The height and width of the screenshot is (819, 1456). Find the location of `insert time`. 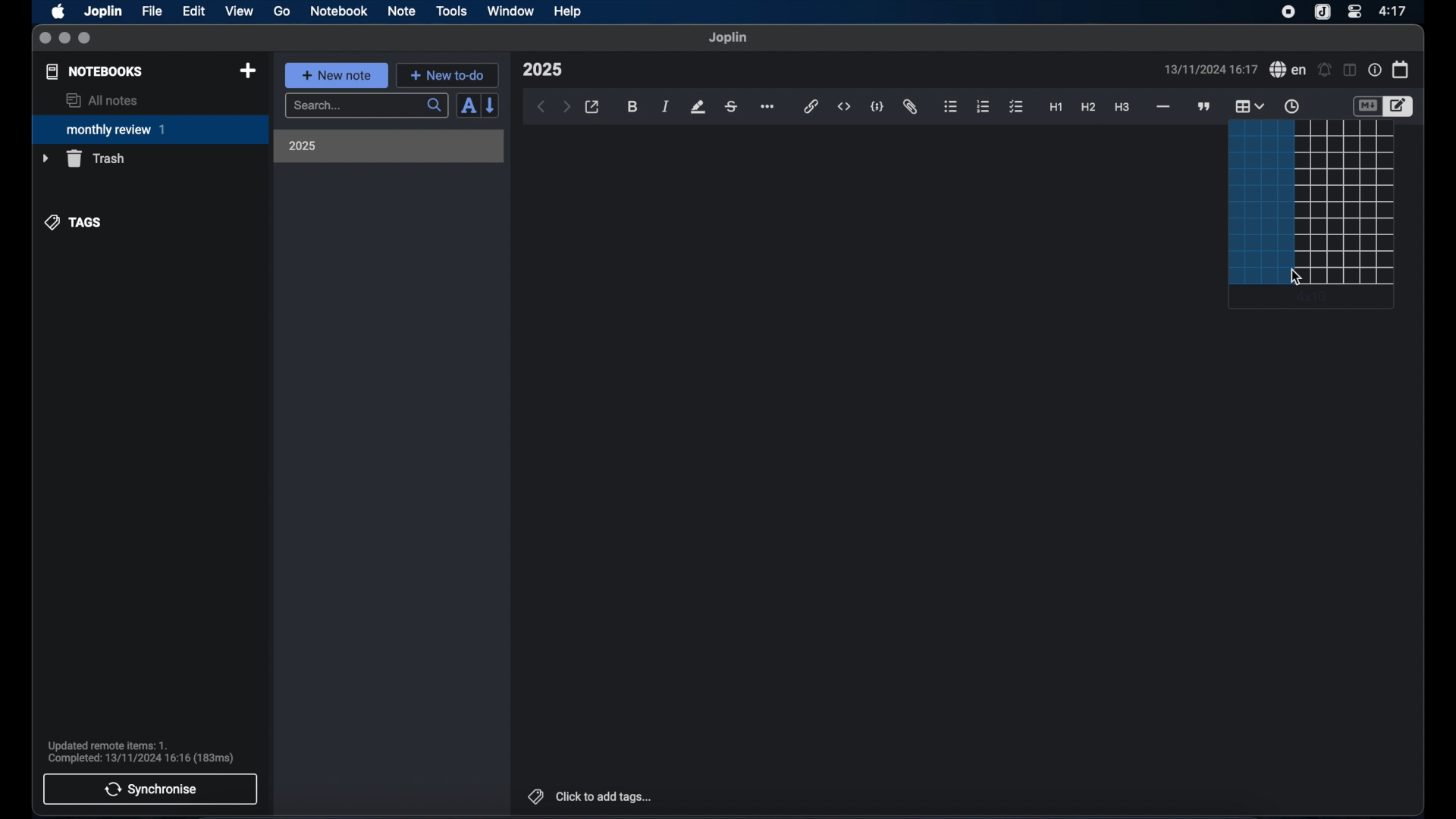

insert time is located at coordinates (1291, 107).